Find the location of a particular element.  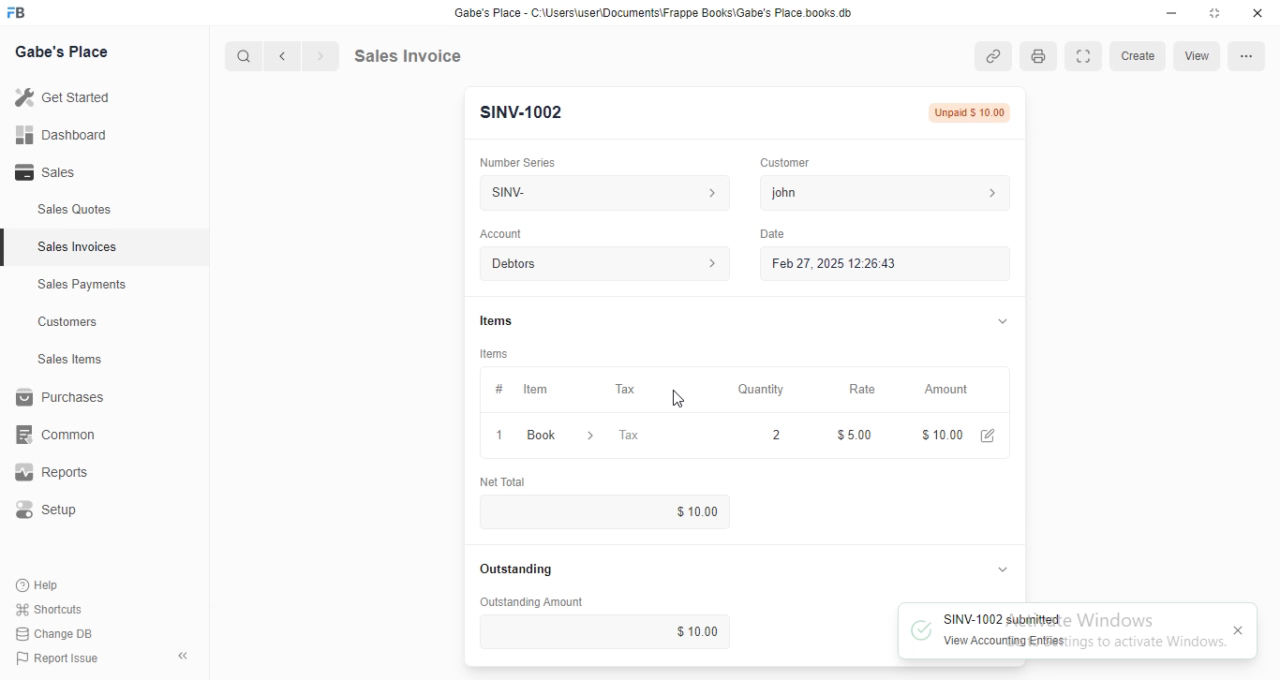

Cursor is located at coordinates (677, 400).